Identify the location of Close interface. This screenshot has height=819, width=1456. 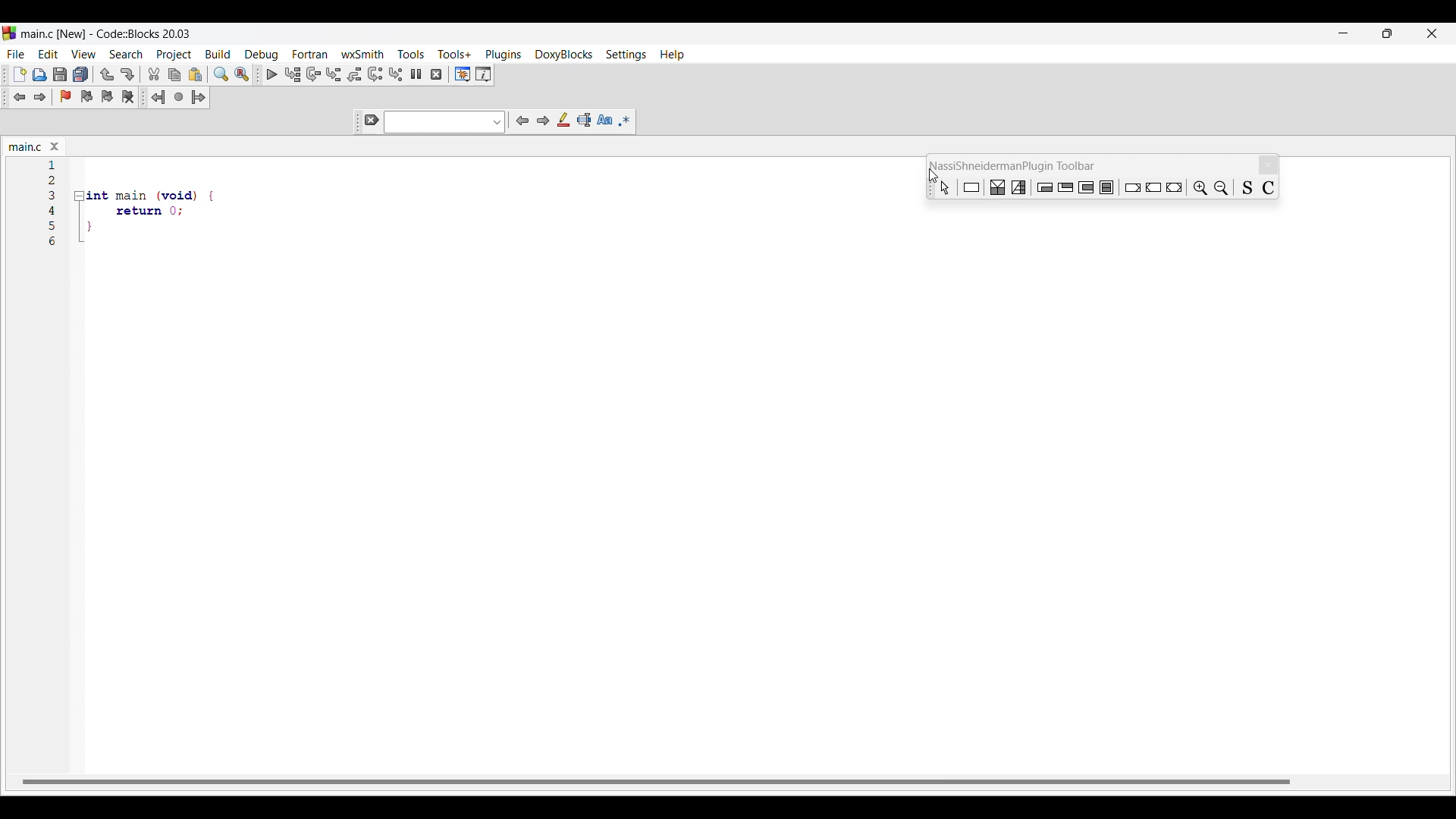
(1432, 33).